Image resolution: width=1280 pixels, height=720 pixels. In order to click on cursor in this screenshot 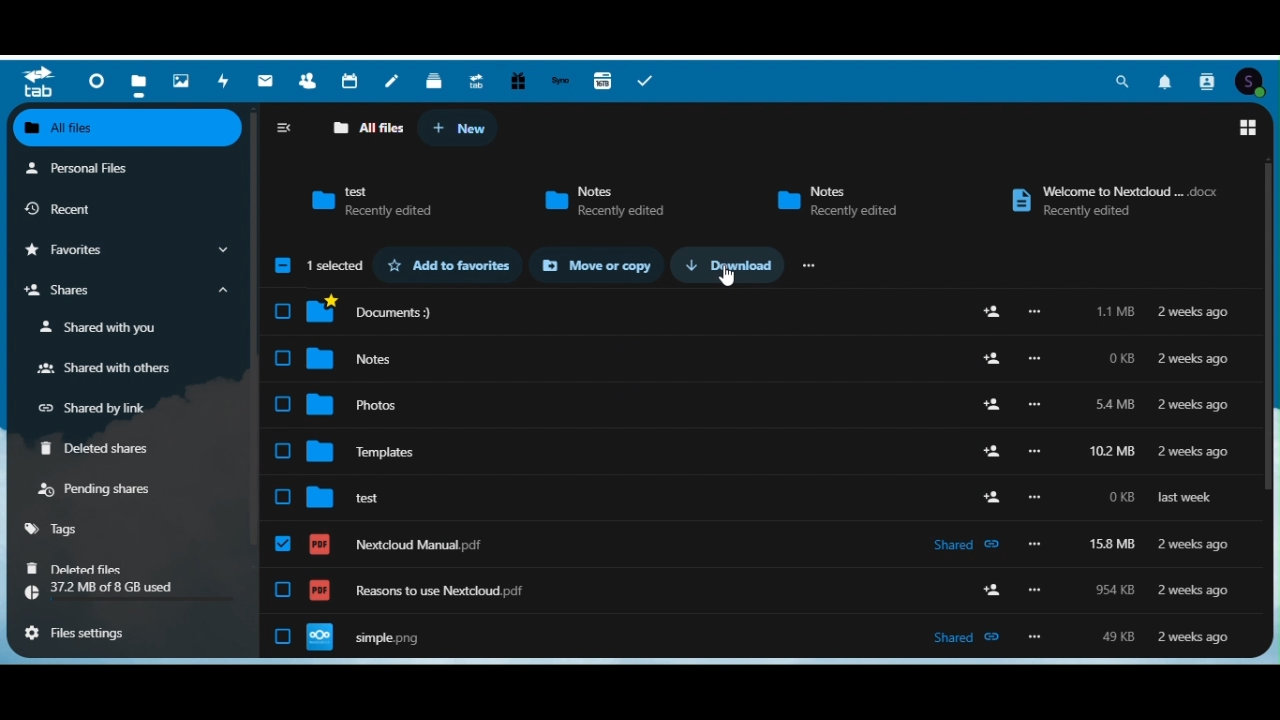, I will do `click(731, 281)`.